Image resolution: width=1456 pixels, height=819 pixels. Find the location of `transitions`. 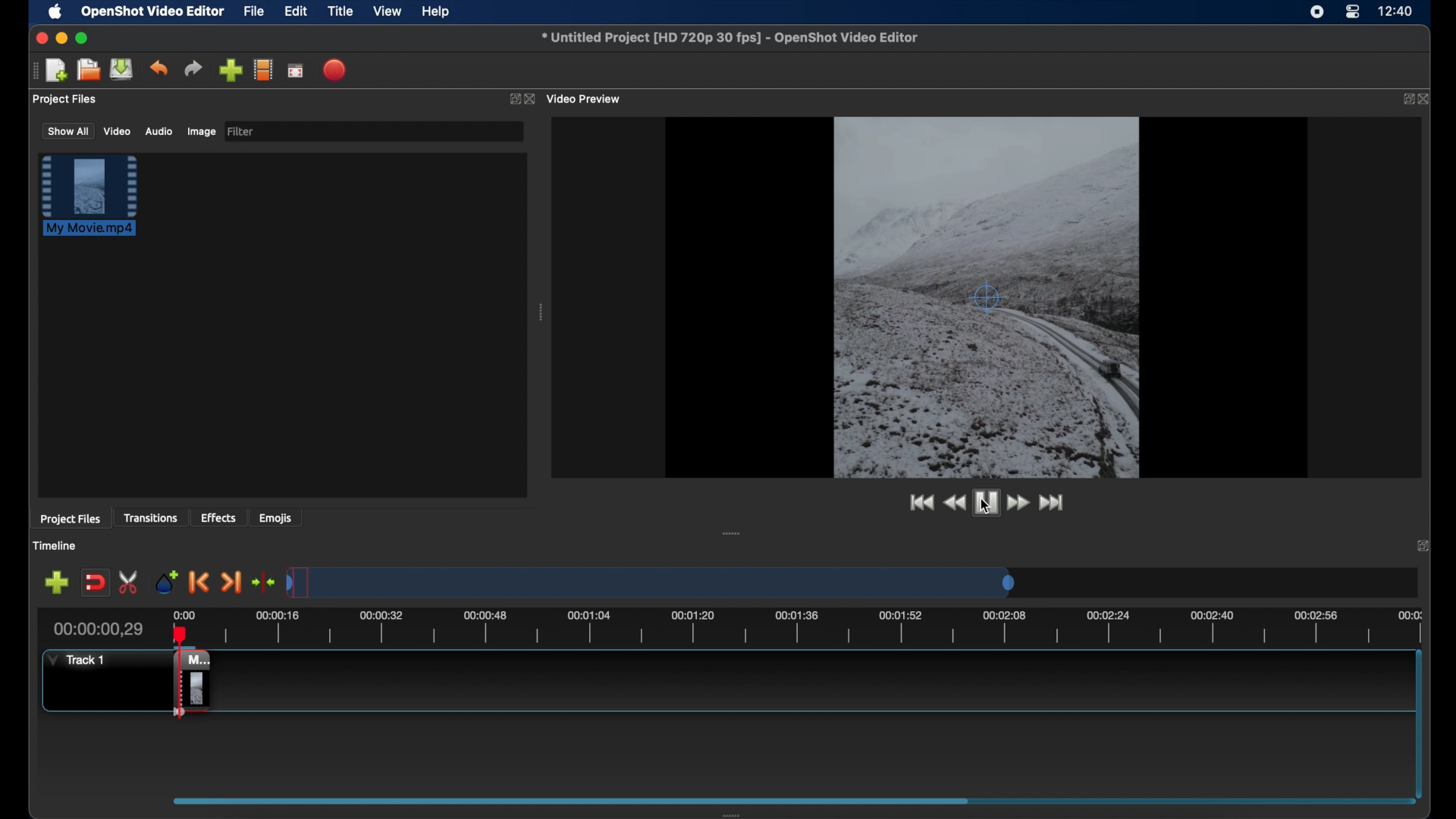

transitions is located at coordinates (152, 519).